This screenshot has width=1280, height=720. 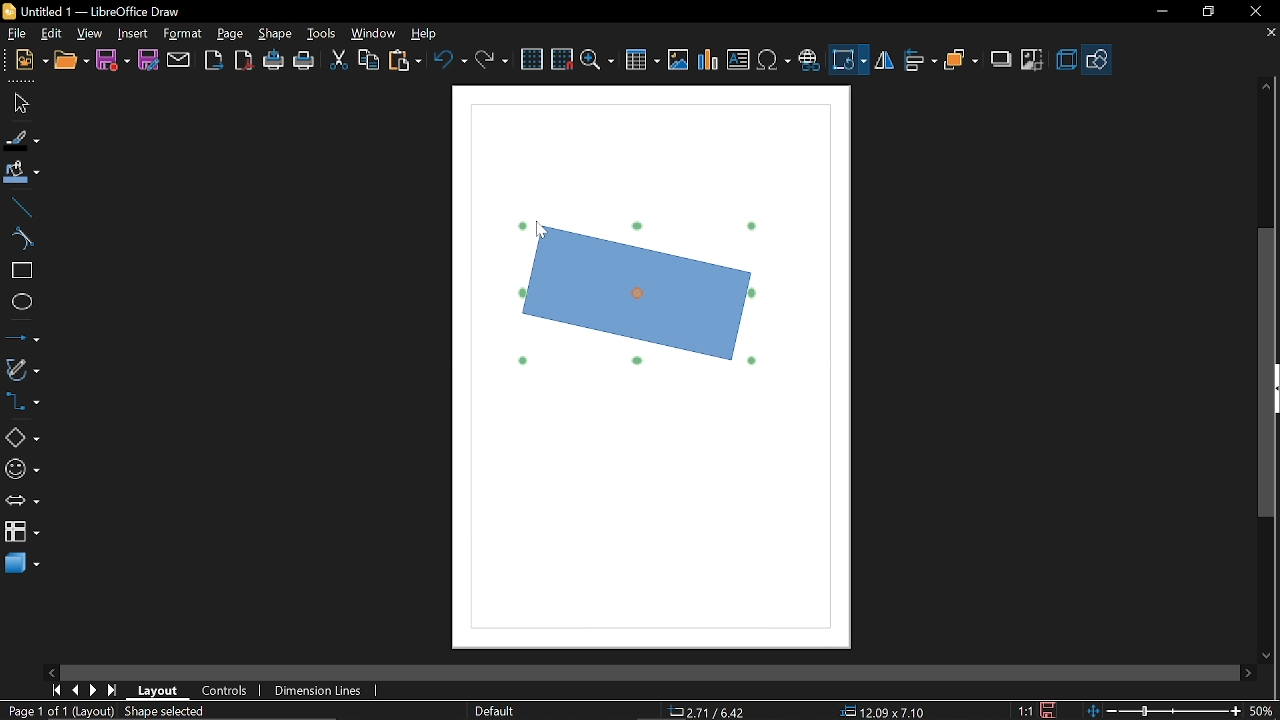 I want to click on Current diagram, so click(x=636, y=292).